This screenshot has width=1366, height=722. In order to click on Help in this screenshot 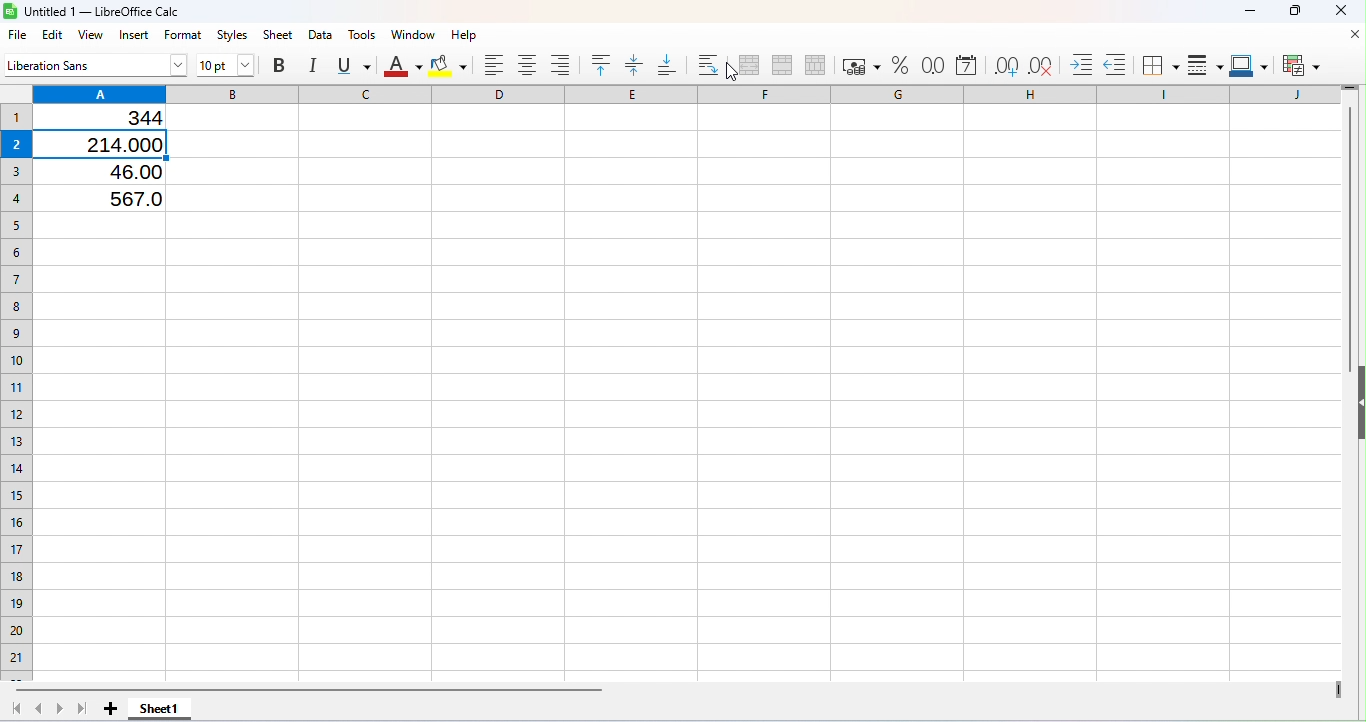, I will do `click(461, 33)`.